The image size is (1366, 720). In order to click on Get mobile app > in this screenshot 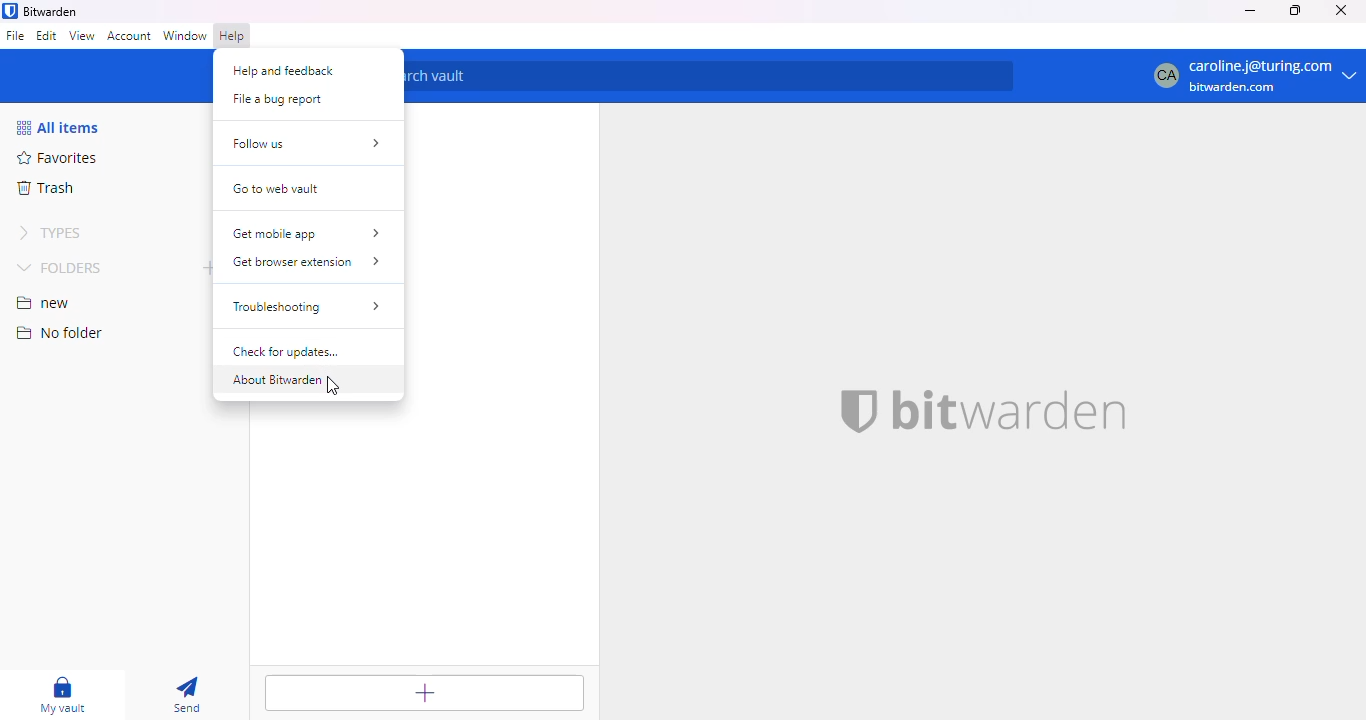, I will do `click(307, 233)`.